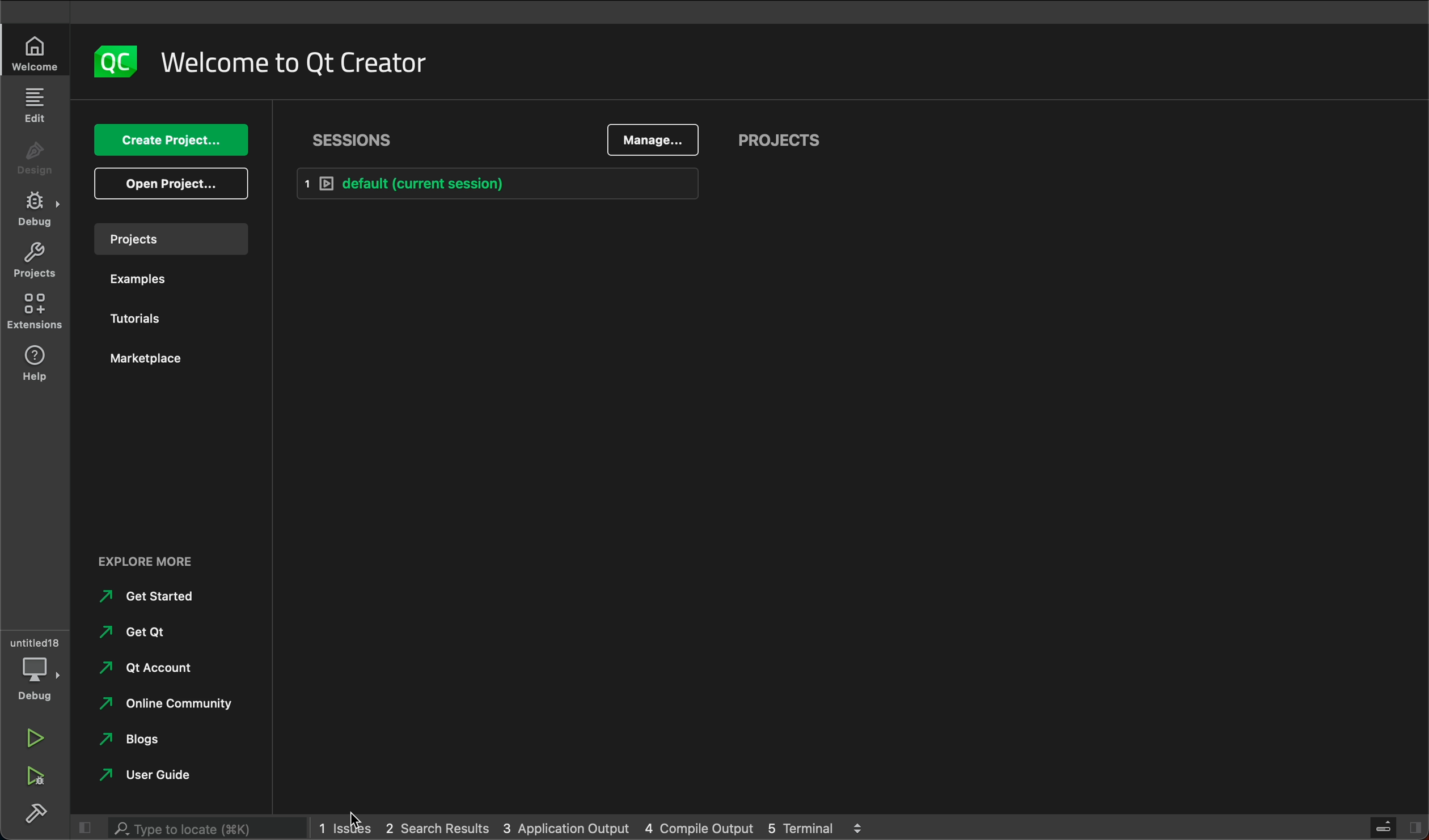 This screenshot has height=840, width=1429. I want to click on projects, so click(168, 237).